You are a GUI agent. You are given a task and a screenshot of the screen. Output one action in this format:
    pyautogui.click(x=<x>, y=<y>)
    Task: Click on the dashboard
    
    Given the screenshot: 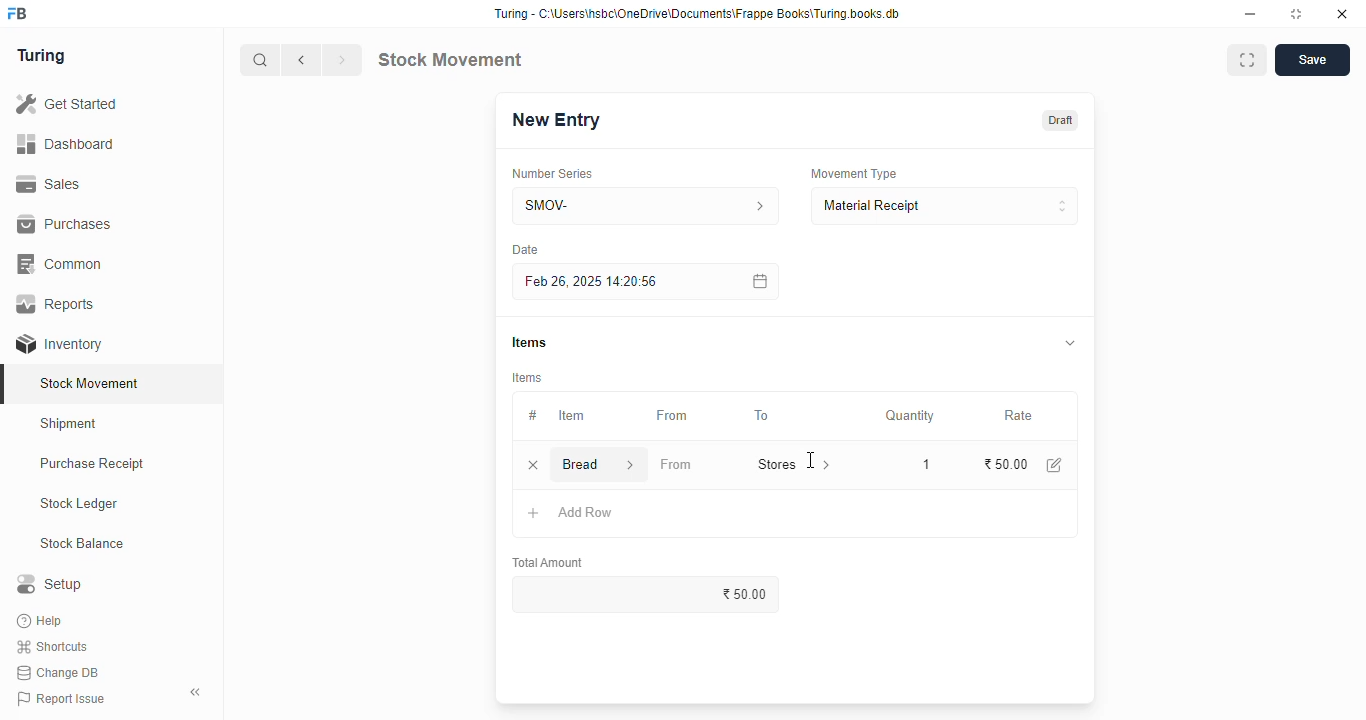 What is the action you would take?
    pyautogui.click(x=65, y=145)
    